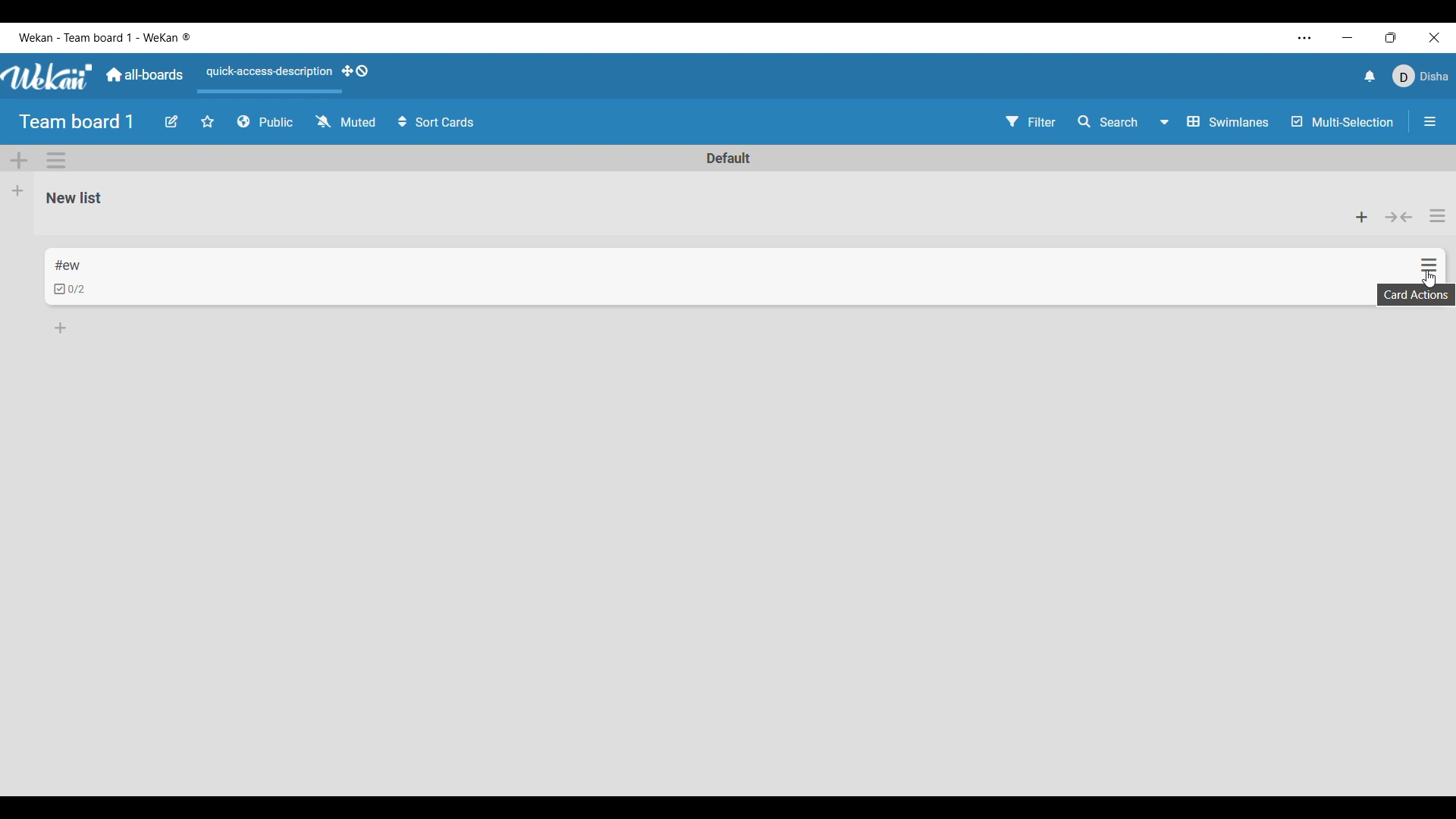 The image size is (1456, 819). What do you see at coordinates (1348, 37) in the screenshot?
I see `Minimize` at bounding box center [1348, 37].